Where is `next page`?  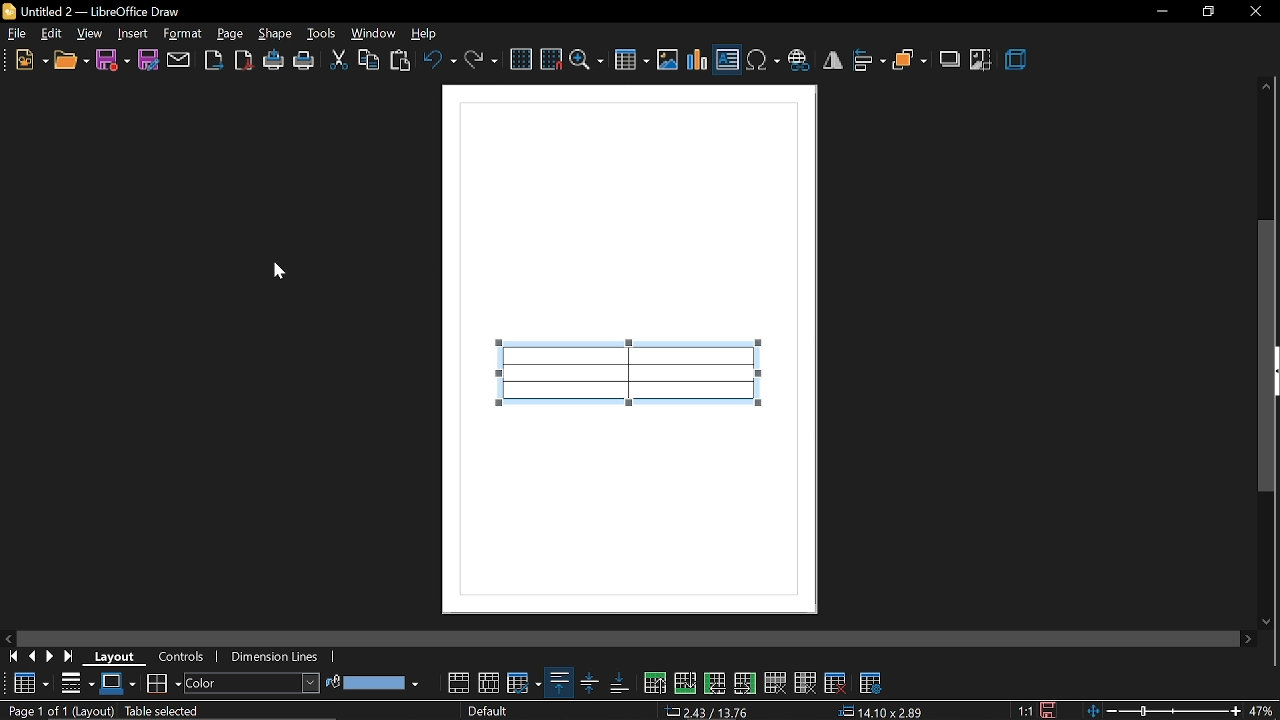
next page is located at coordinates (51, 655).